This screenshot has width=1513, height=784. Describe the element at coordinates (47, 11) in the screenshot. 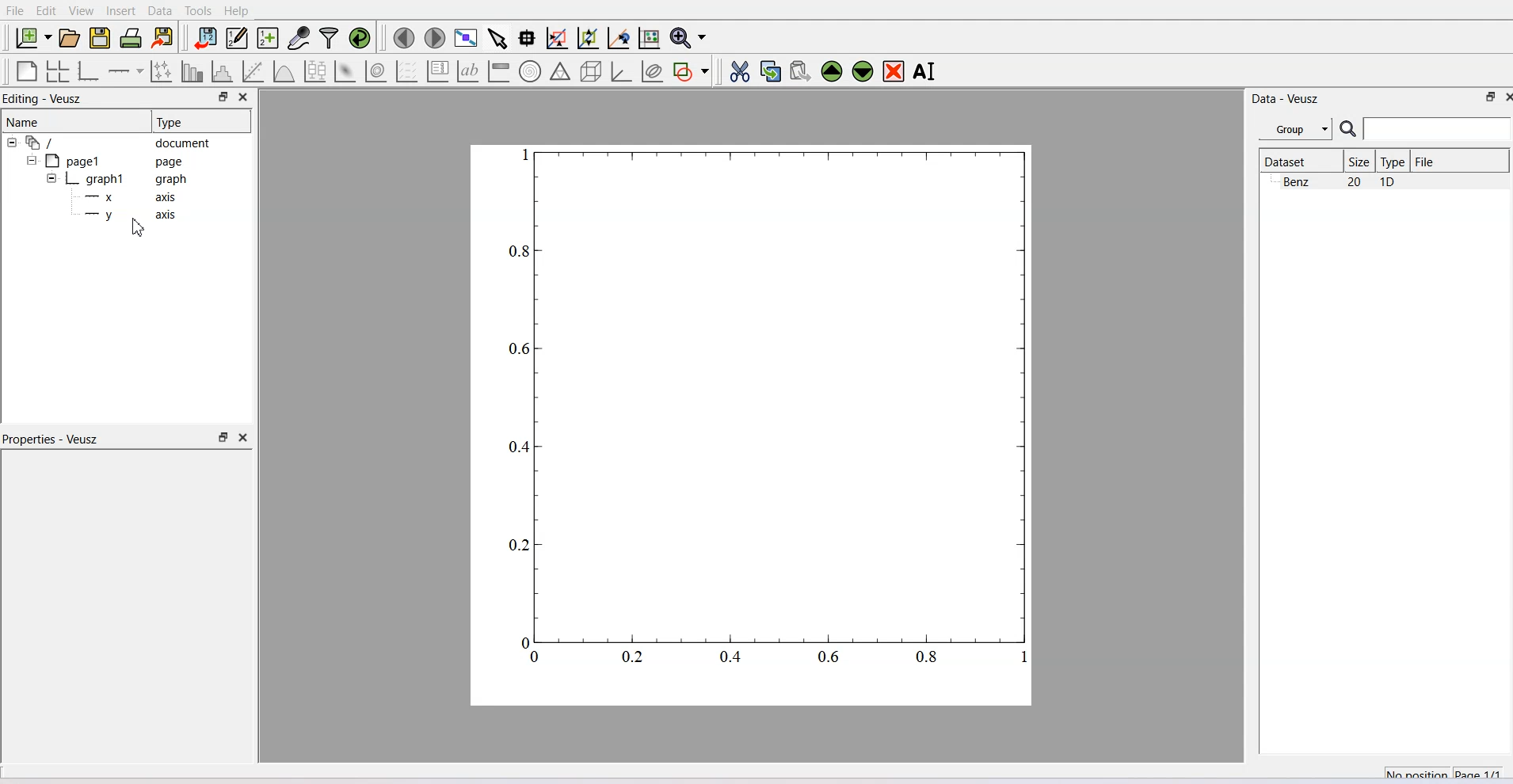

I see `Edit` at that location.